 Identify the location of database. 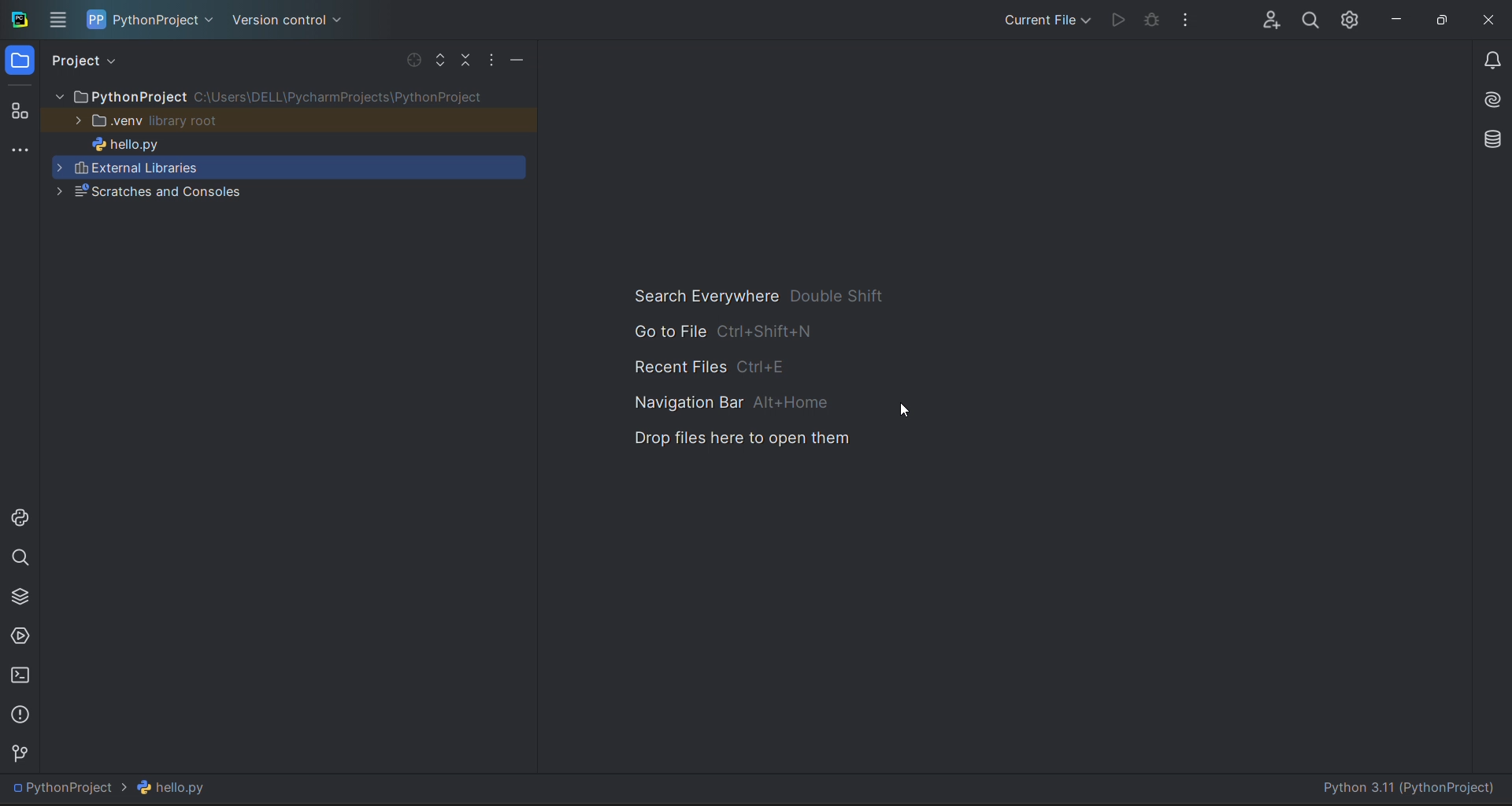
(1494, 140).